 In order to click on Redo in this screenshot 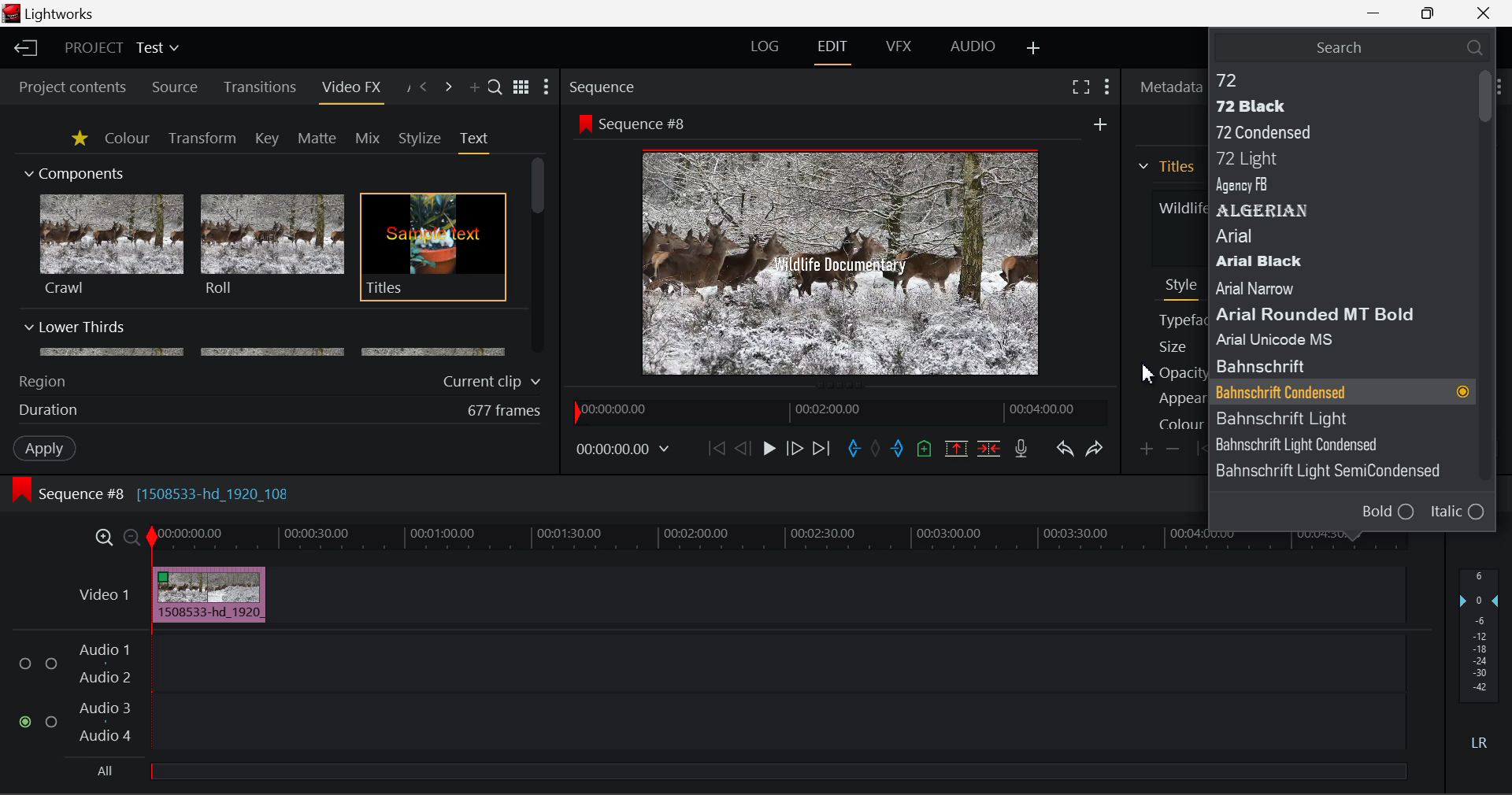, I will do `click(1096, 449)`.